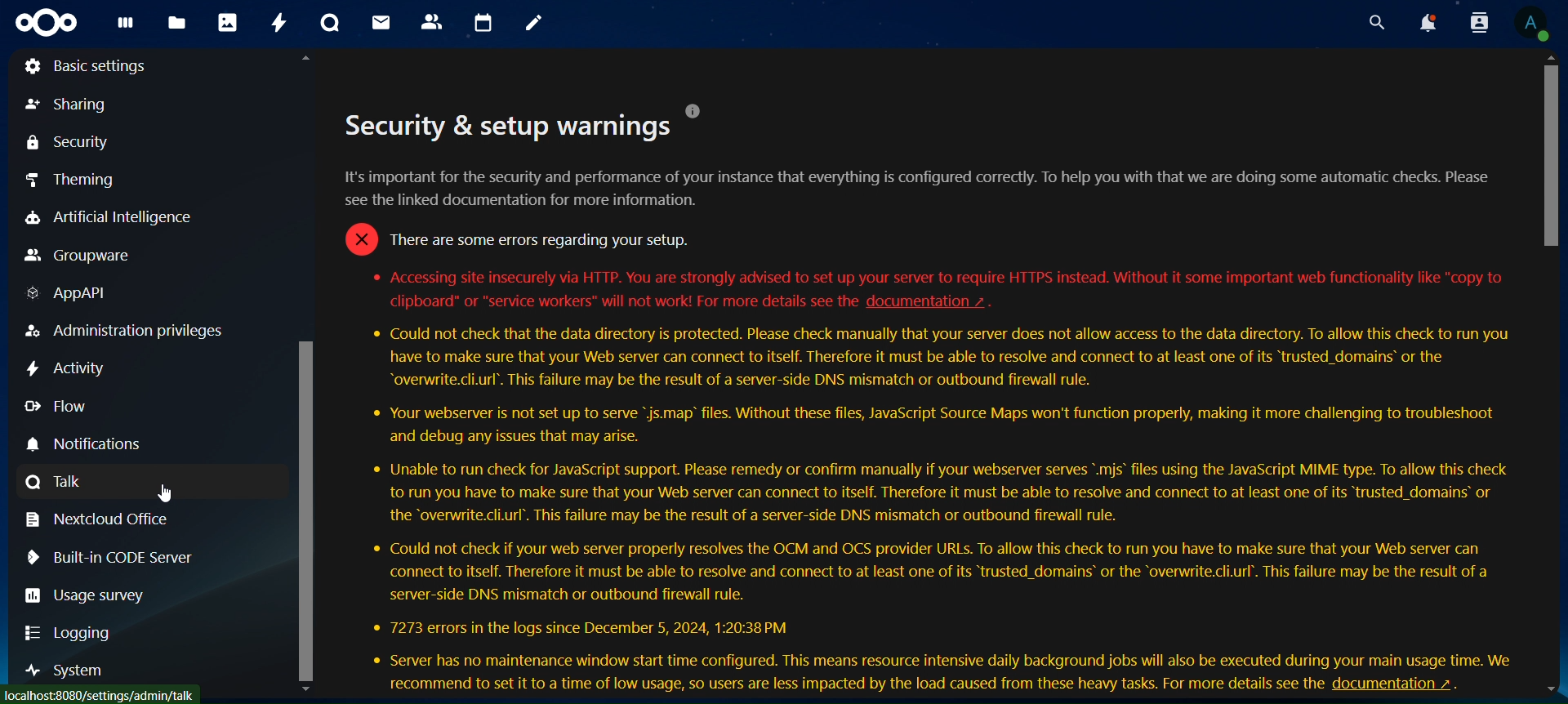 Image resolution: width=1568 pixels, height=704 pixels. I want to click on view profile, so click(1534, 25).